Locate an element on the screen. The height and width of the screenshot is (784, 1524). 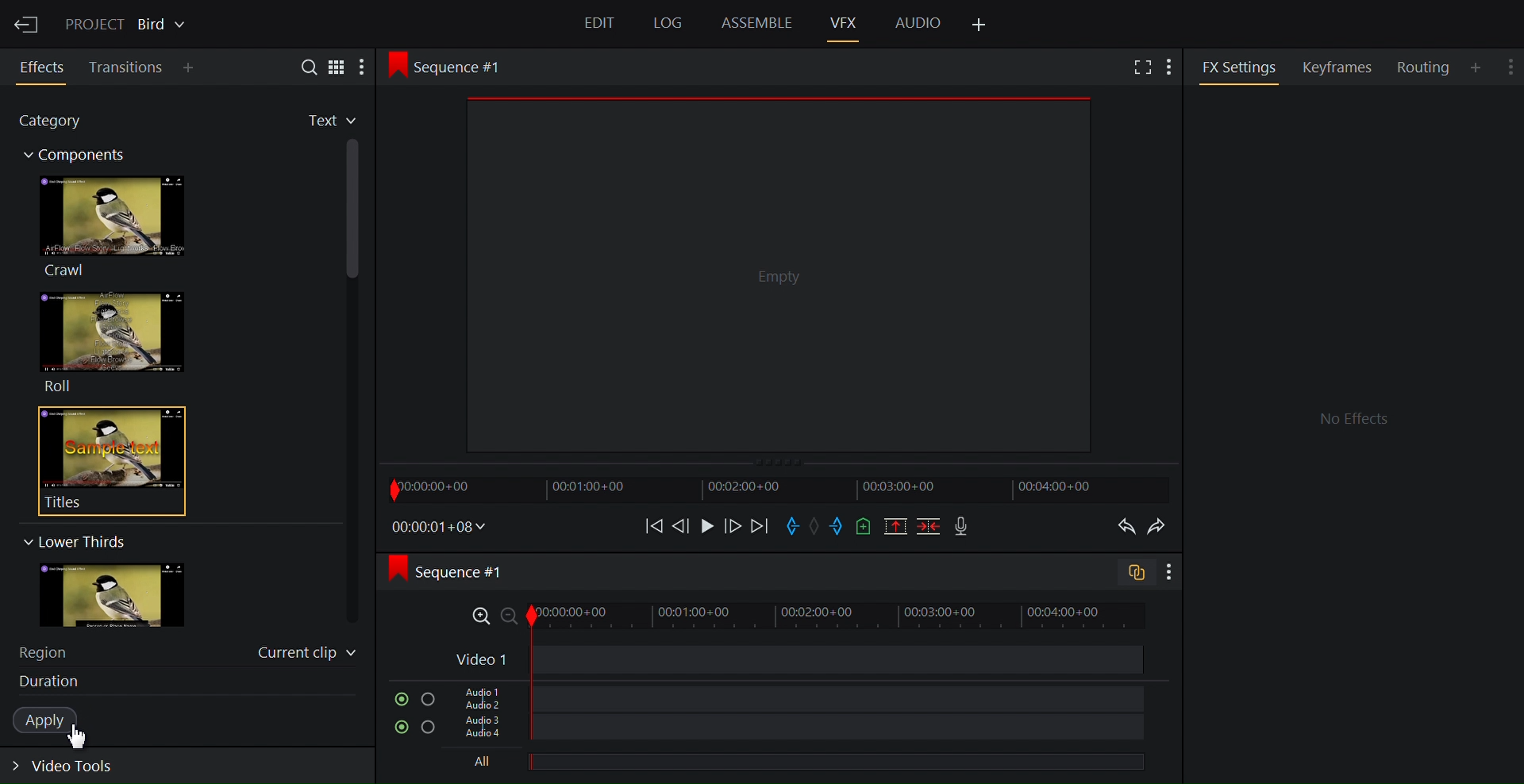
Titles is located at coordinates (102, 460).